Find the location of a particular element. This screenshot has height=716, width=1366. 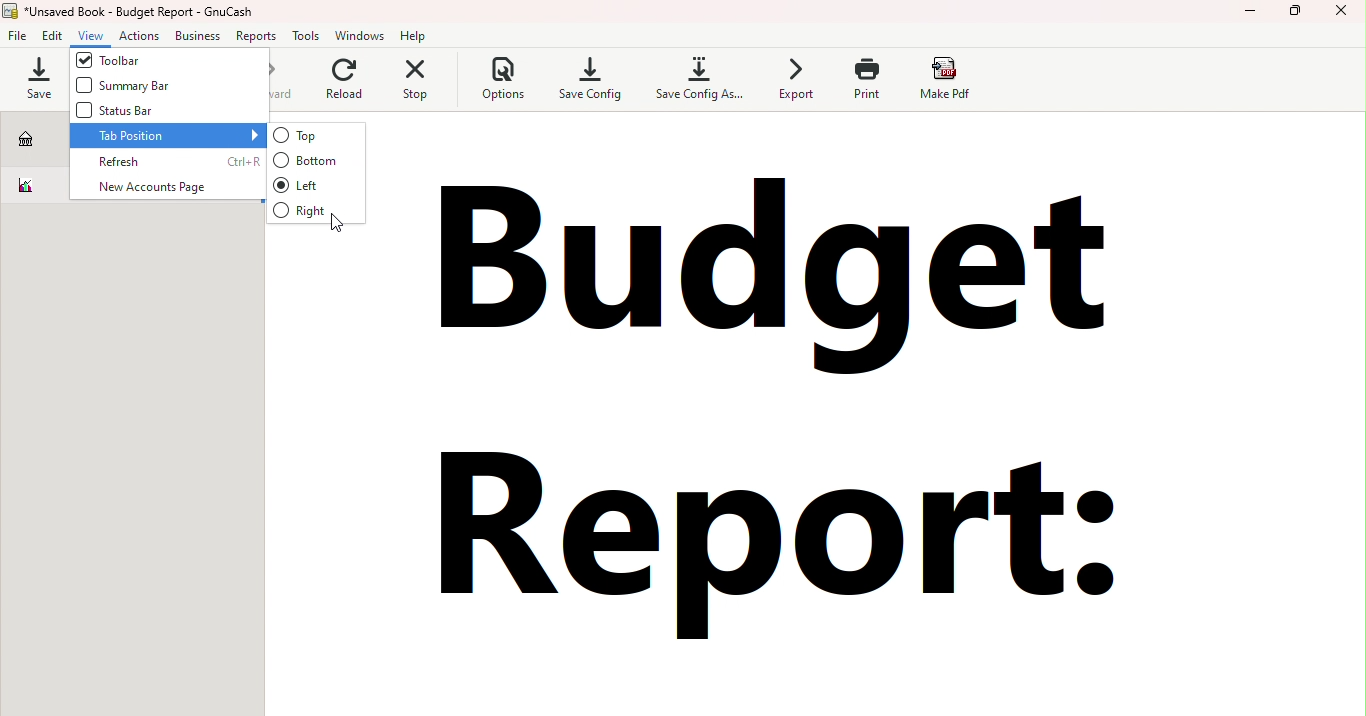

Reports is located at coordinates (256, 35).